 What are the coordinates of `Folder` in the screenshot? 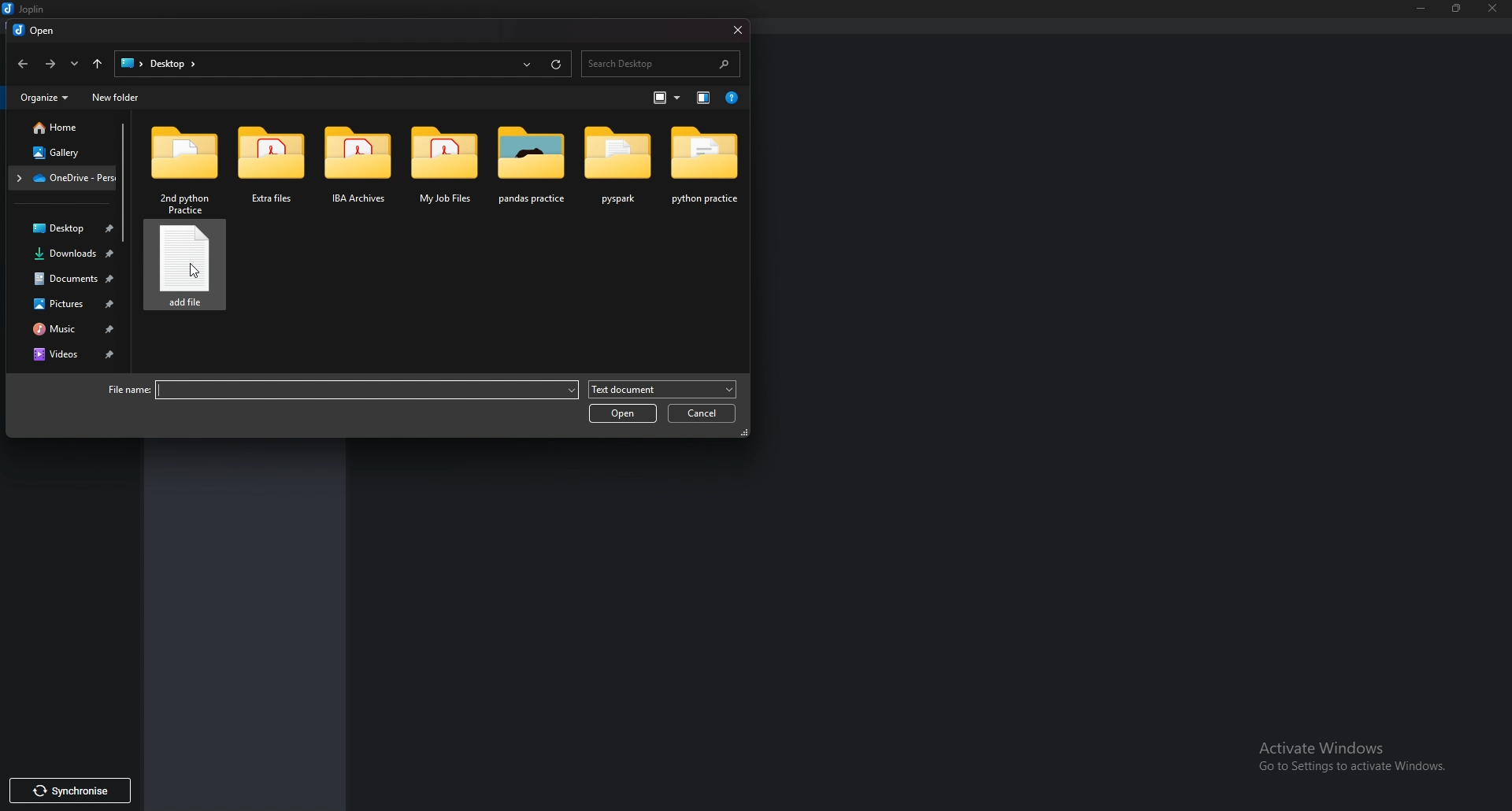 It's located at (528, 168).